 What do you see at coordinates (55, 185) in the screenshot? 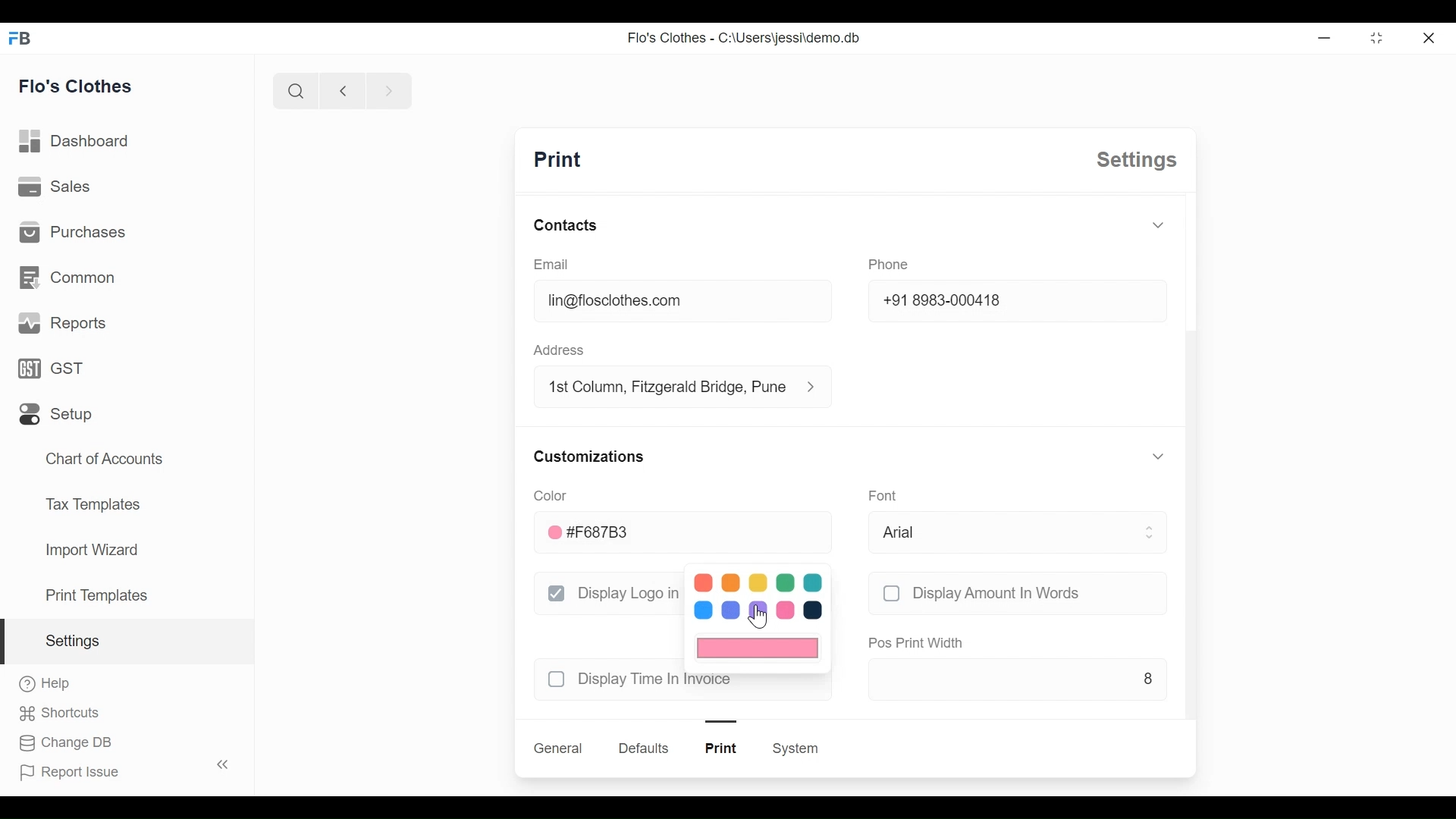
I see `sales` at bounding box center [55, 185].